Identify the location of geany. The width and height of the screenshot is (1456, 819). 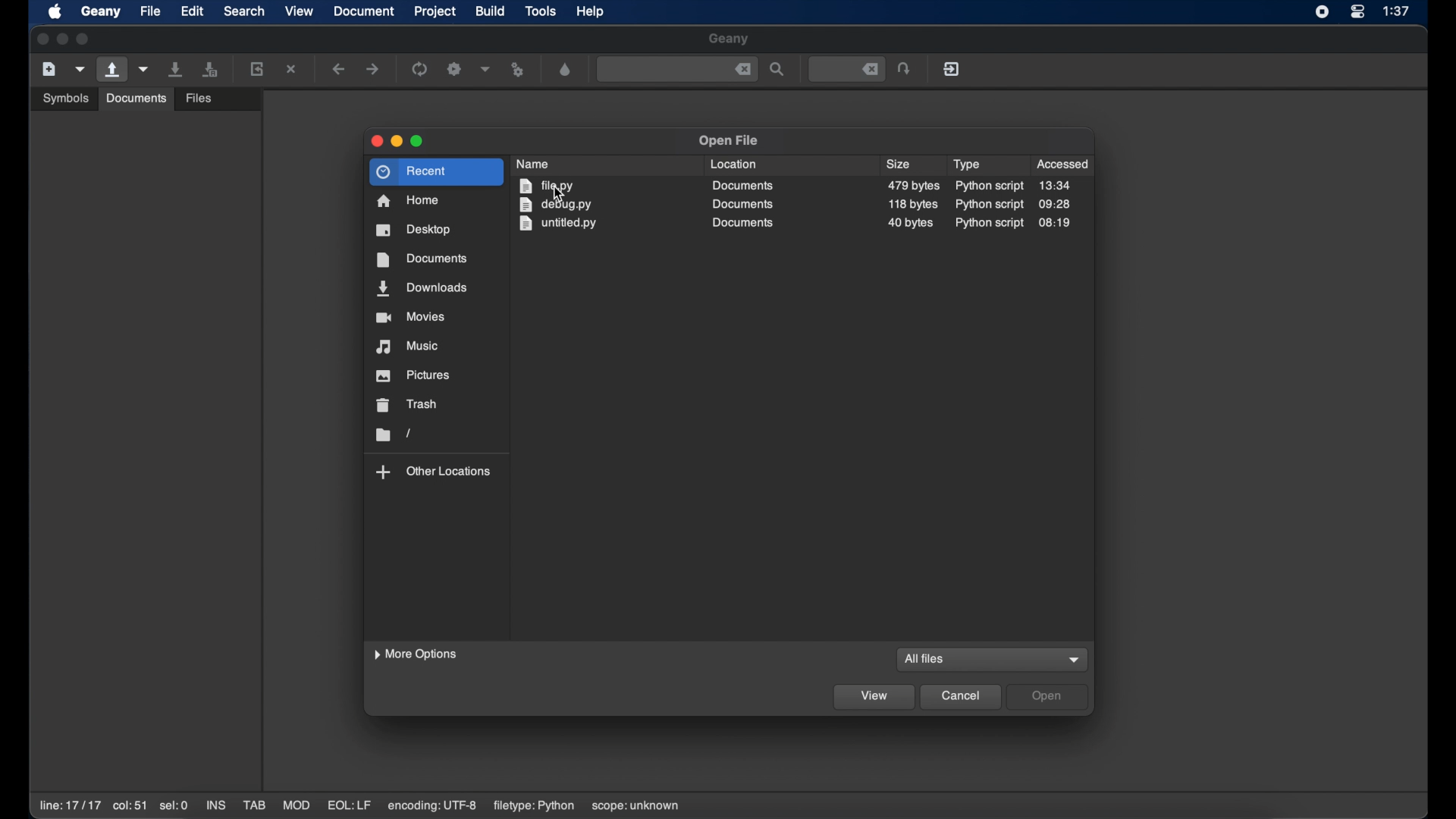
(729, 39).